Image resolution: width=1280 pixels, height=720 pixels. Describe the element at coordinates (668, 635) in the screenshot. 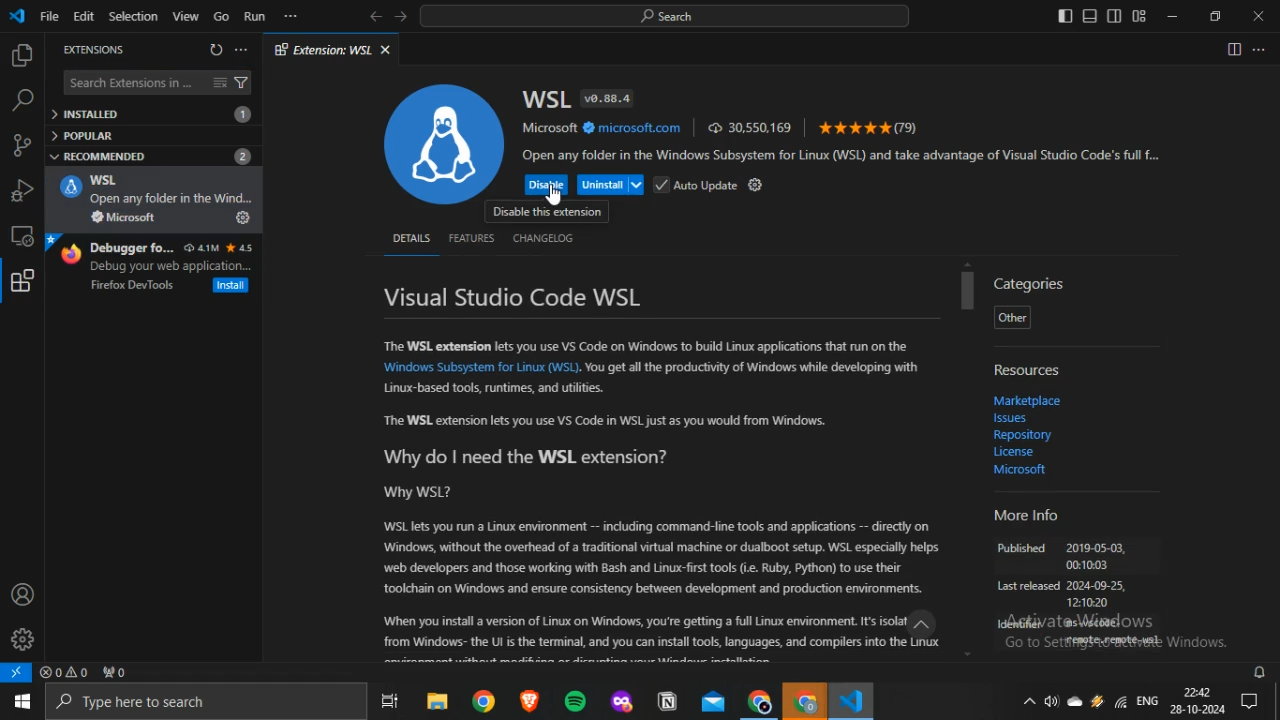

I see `When you install version of Linux on Windows, you're getting a full Linux environment. Its isolat.”
from Windows- the Ut is the terminal, and you can install tools, languages, and compilers into the Linux` at that location.